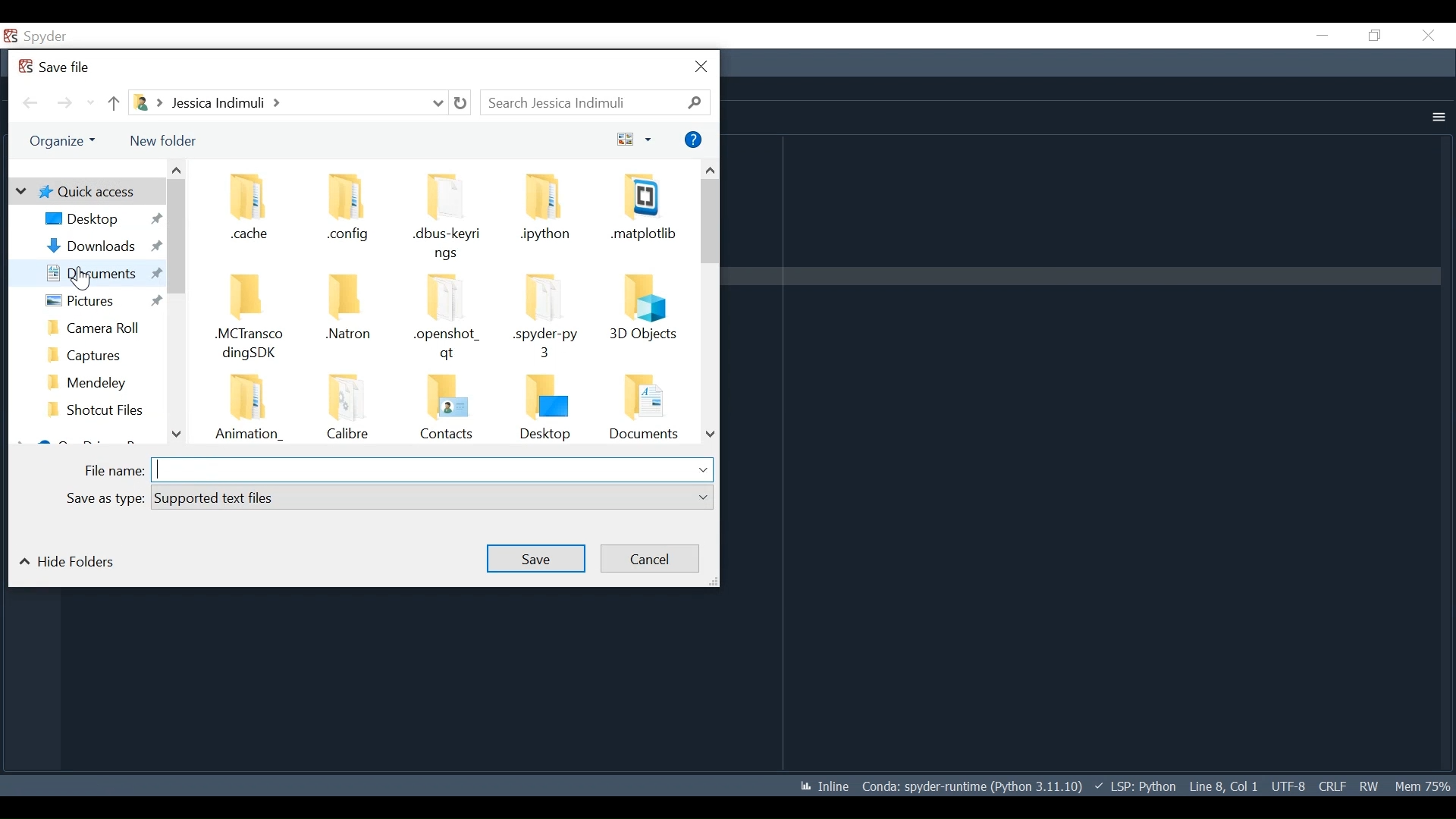 The height and width of the screenshot is (819, 1456). What do you see at coordinates (970, 786) in the screenshot?
I see `Conda Environment Indicator` at bounding box center [970, 786].